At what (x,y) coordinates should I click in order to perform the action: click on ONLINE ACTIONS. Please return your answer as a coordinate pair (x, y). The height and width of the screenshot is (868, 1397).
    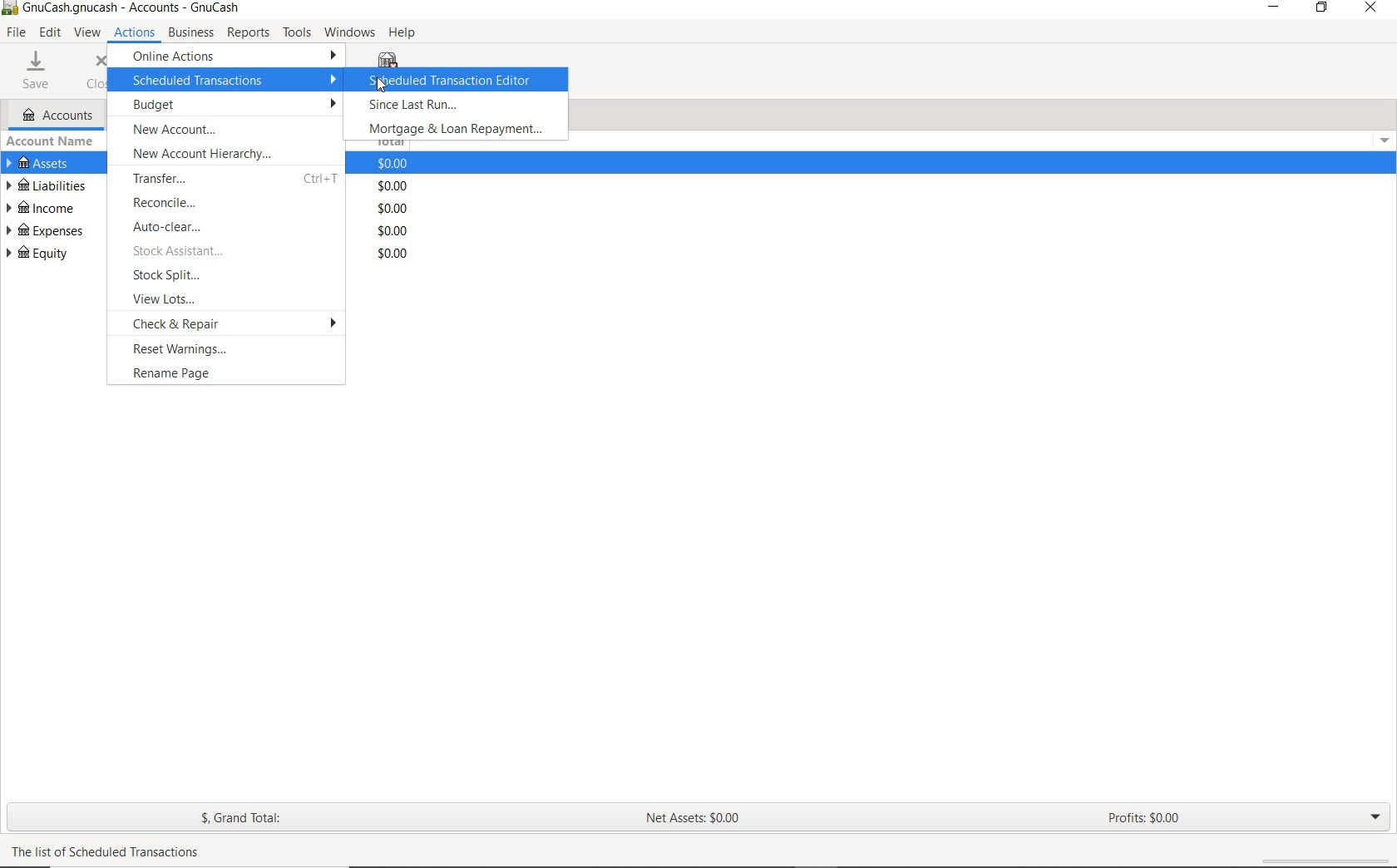
    Looking at the image, I should click on (230, 58).